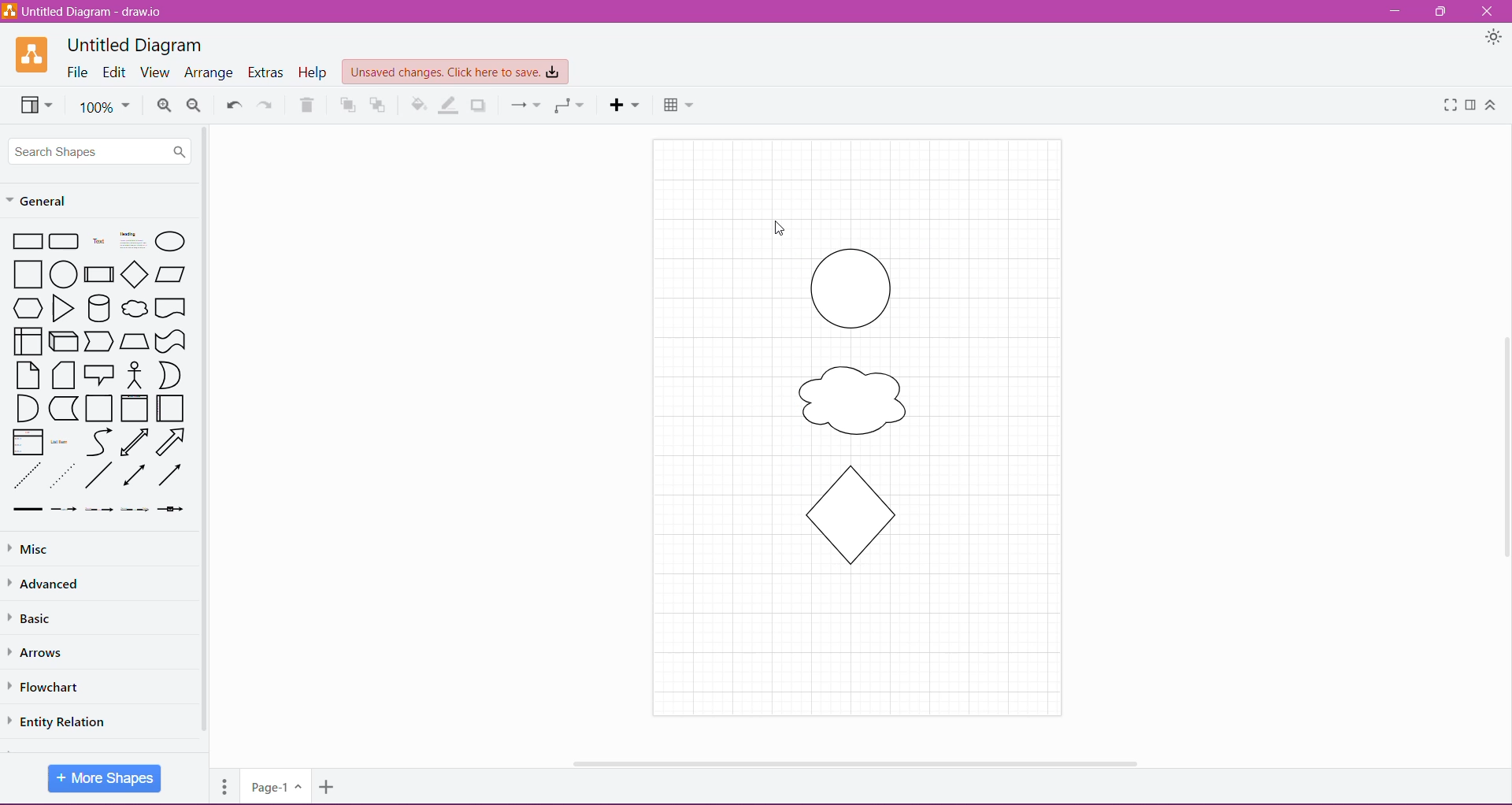 The width and height of the screenshot is (1512, 805). Describe the element at coordinates (47, 199) in the screenshot. I see `General` at that location.